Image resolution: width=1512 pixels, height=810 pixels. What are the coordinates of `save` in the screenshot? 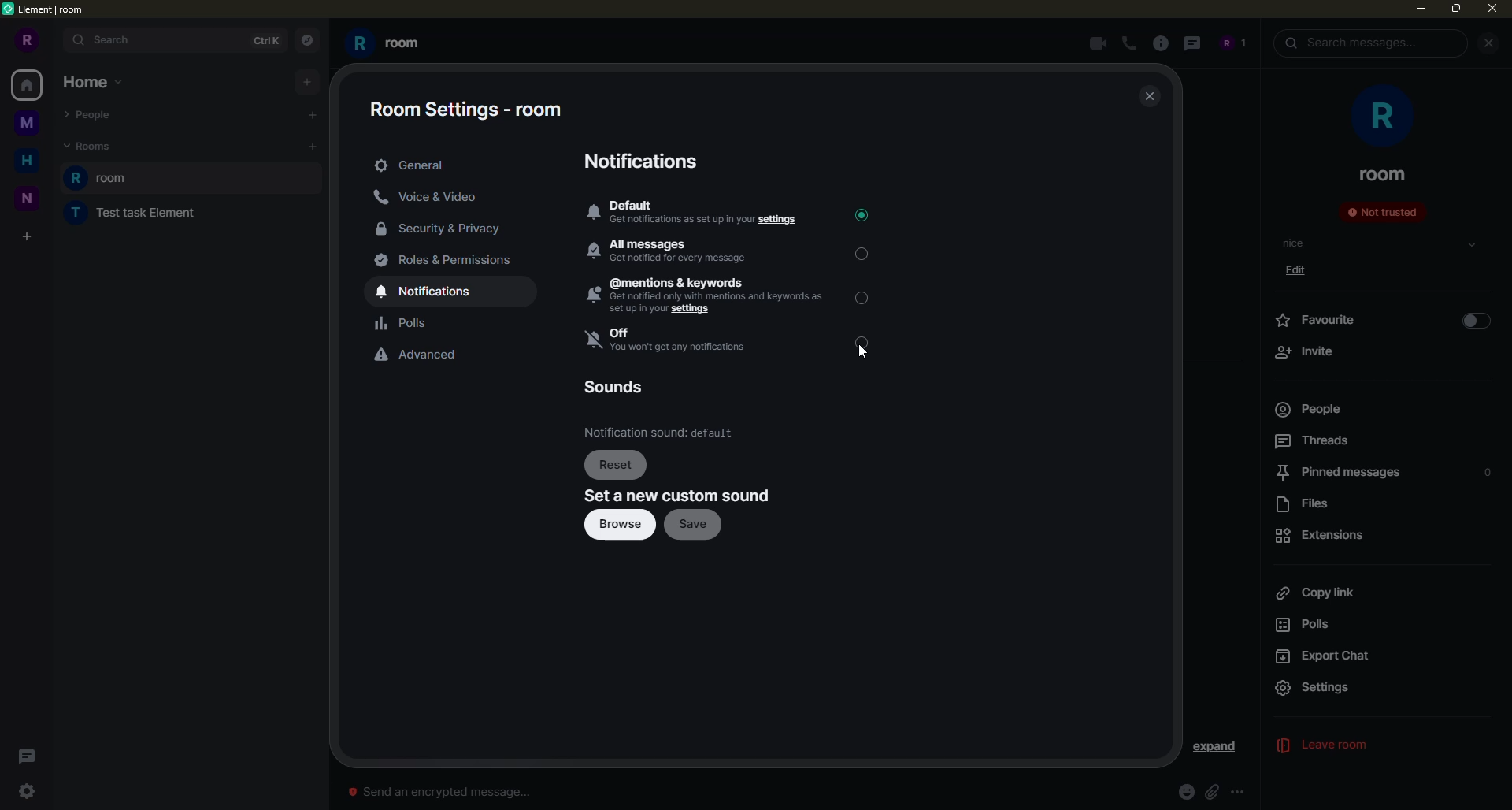 It's located at (695, 525).